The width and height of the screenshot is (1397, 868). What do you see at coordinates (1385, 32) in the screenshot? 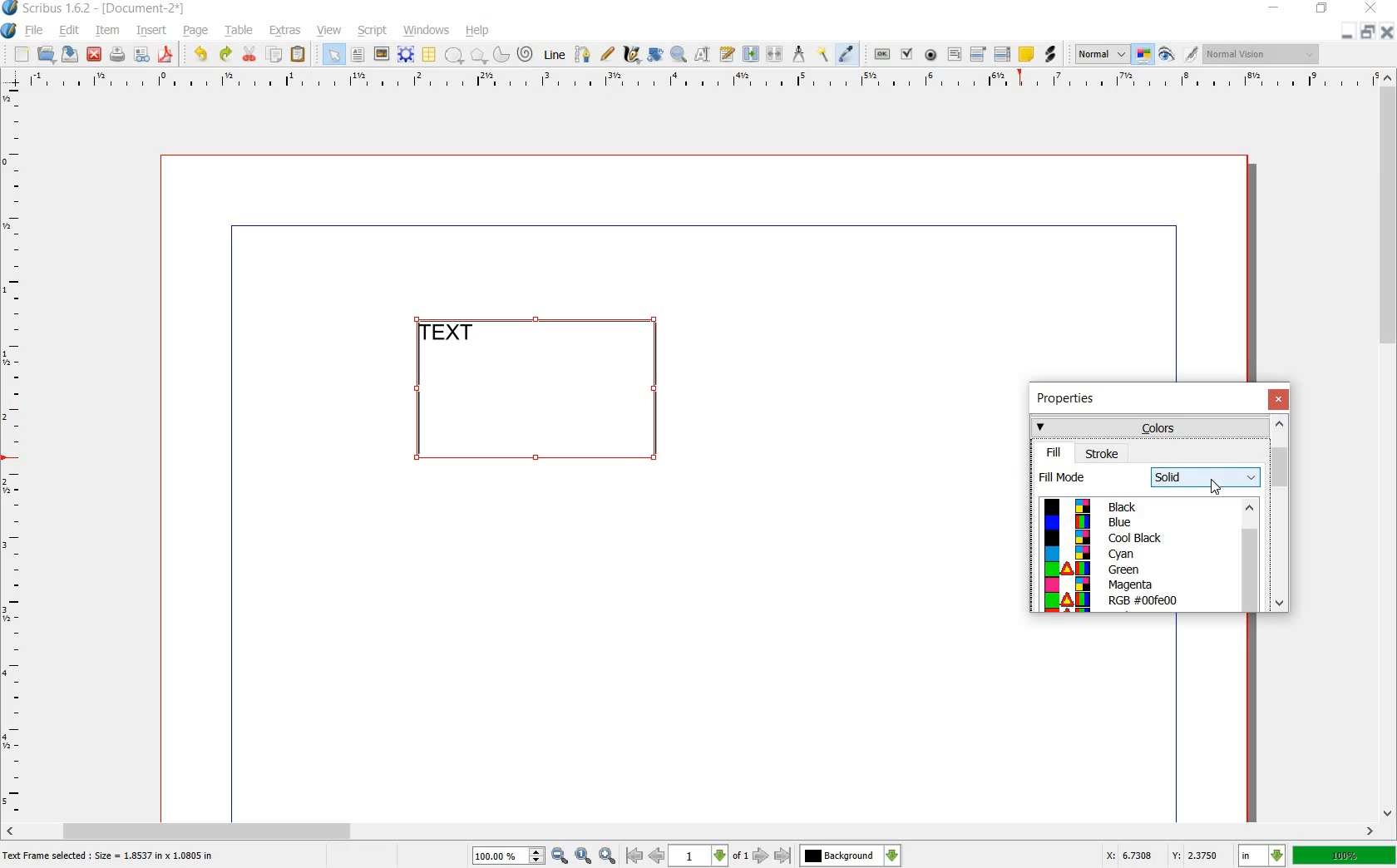
I see `close` at bounding box center [1385, 32].